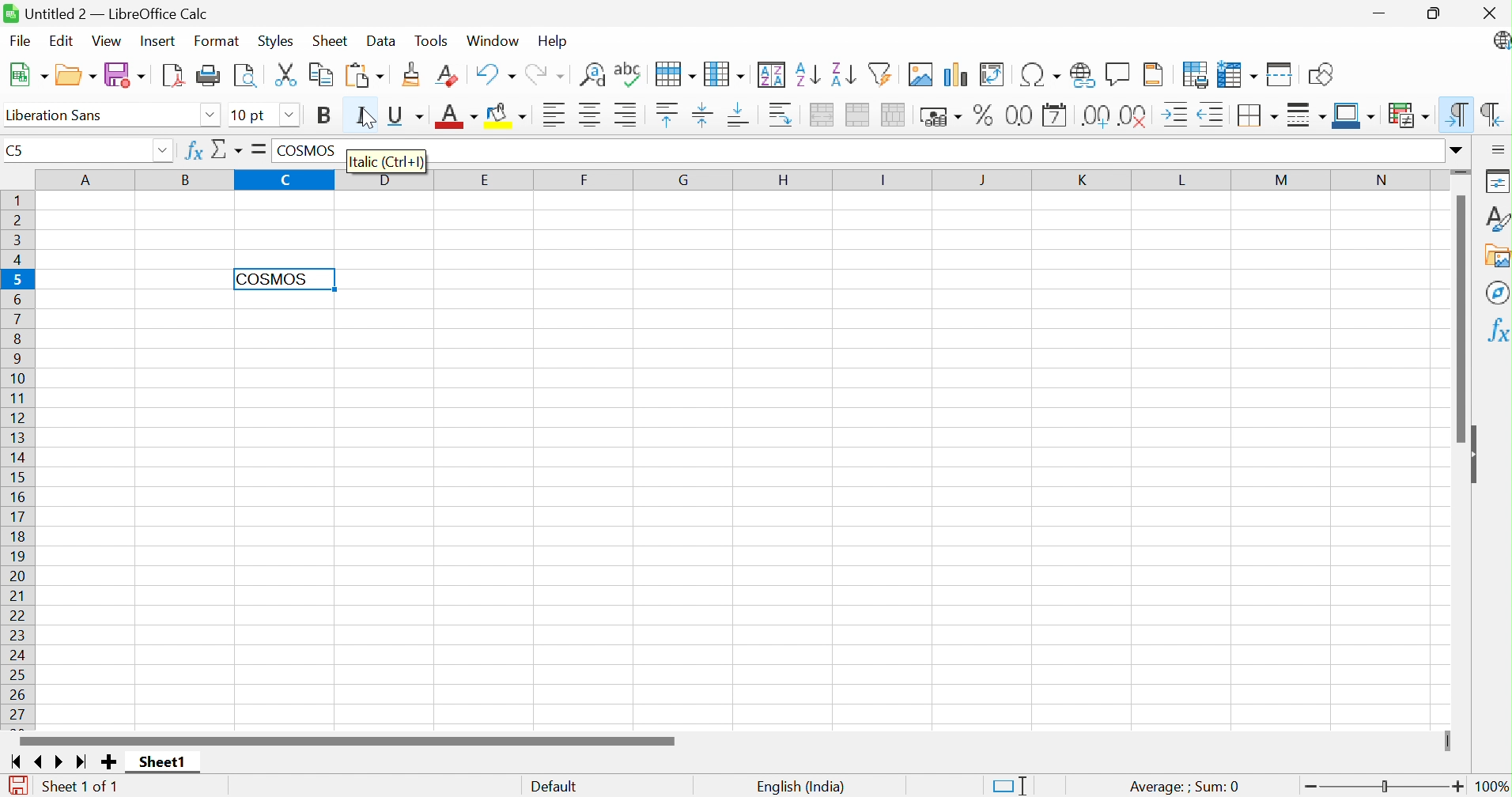 The height and width of the screenshot is (797, 1512). I want to click on Hide, so click(1477, 455).